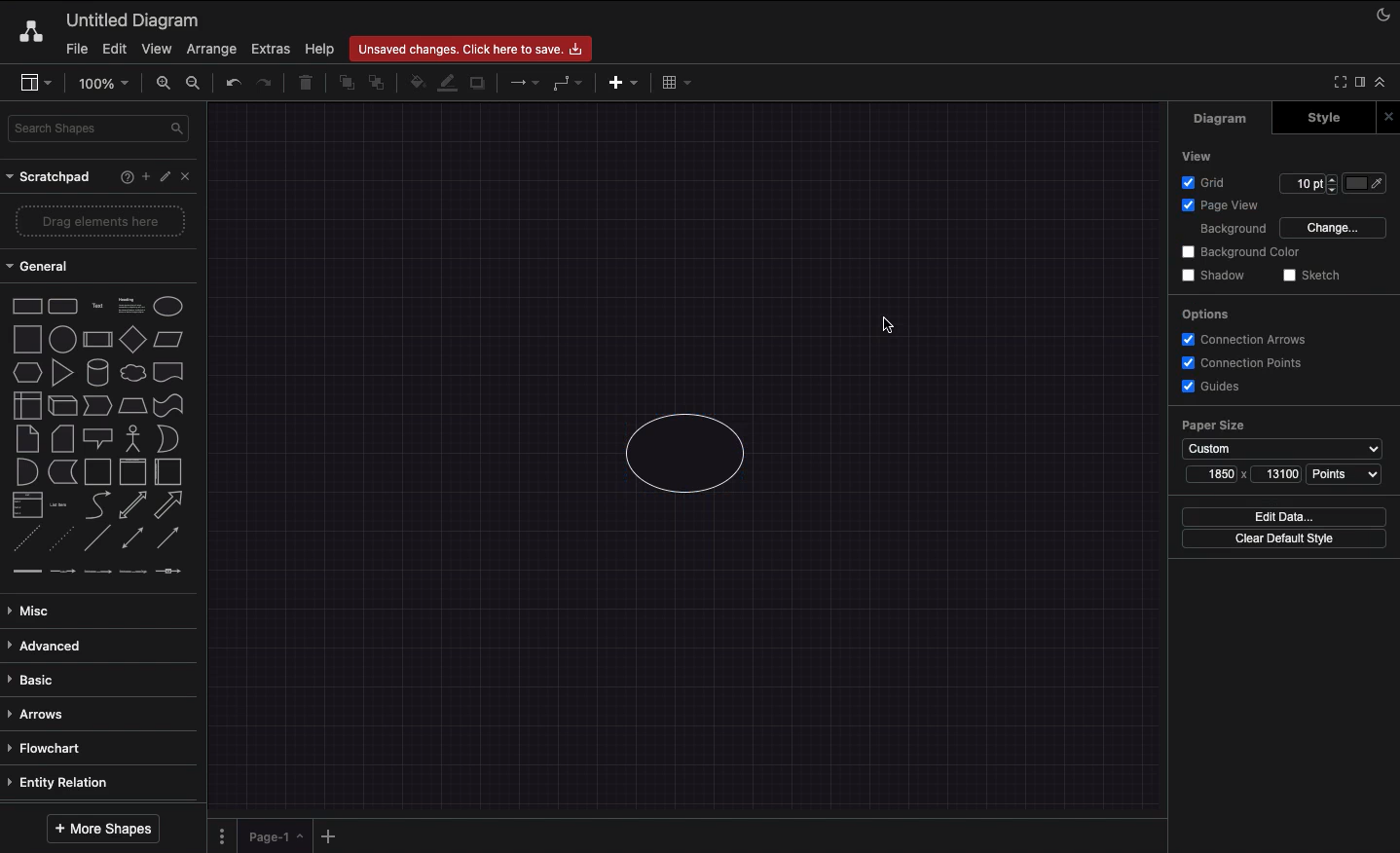 Image resolution: width=1400 pixels, height=853 pixels. Describe the element at coordinates (309, 84) in the screenshot. I see `Trash` at that location.